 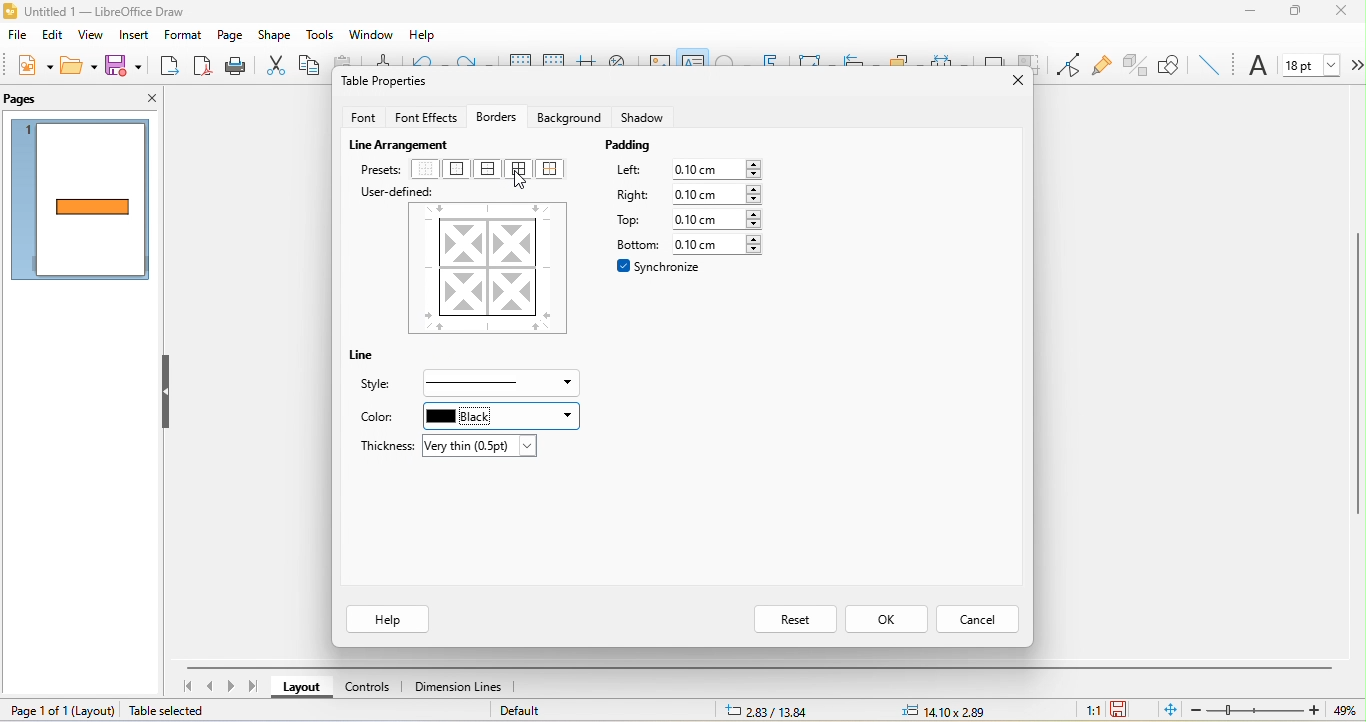 I want to click on no border, so click(x=426, y=170).